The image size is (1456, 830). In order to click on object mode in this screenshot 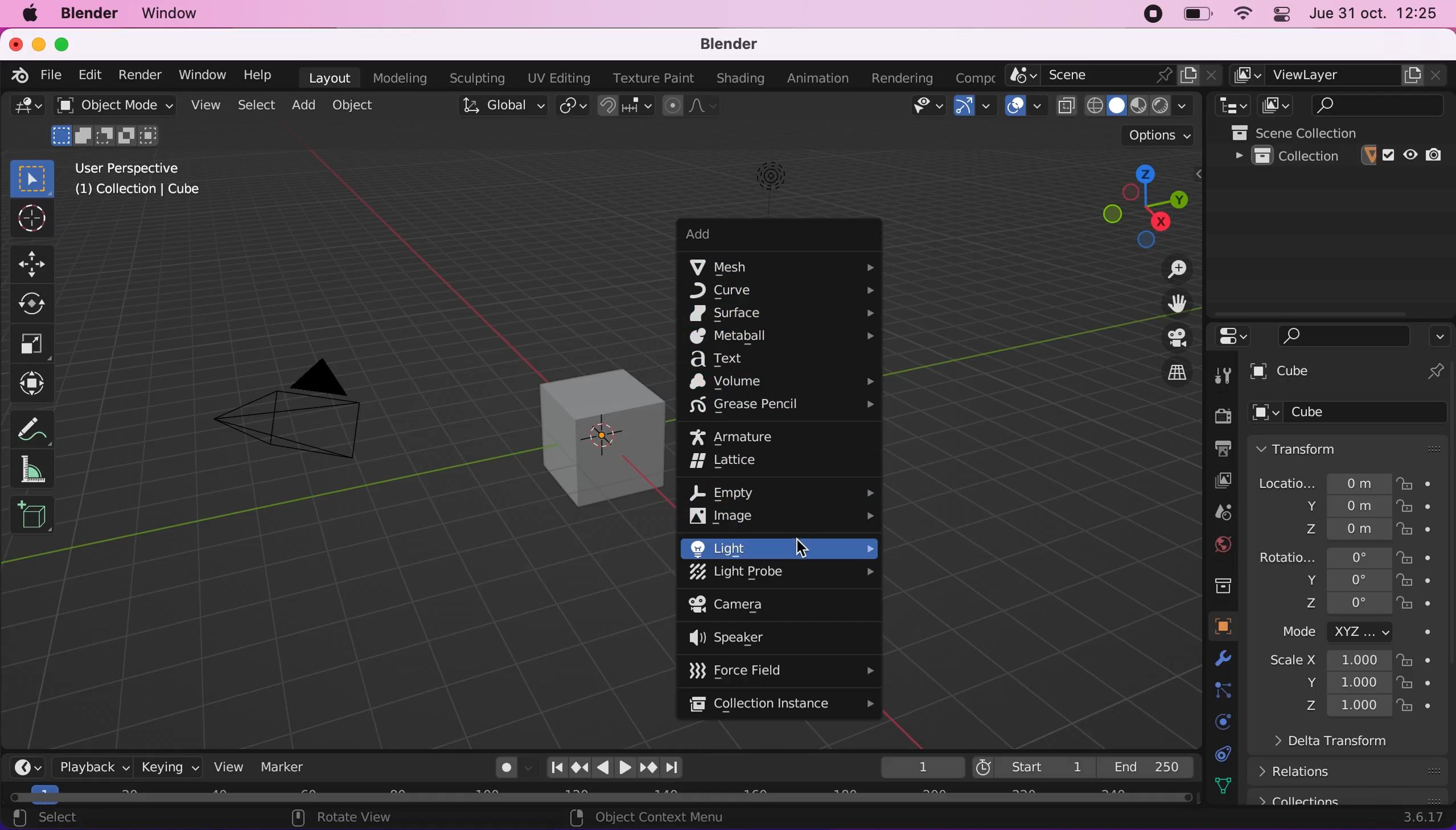, I will do `click(115, 124)`.